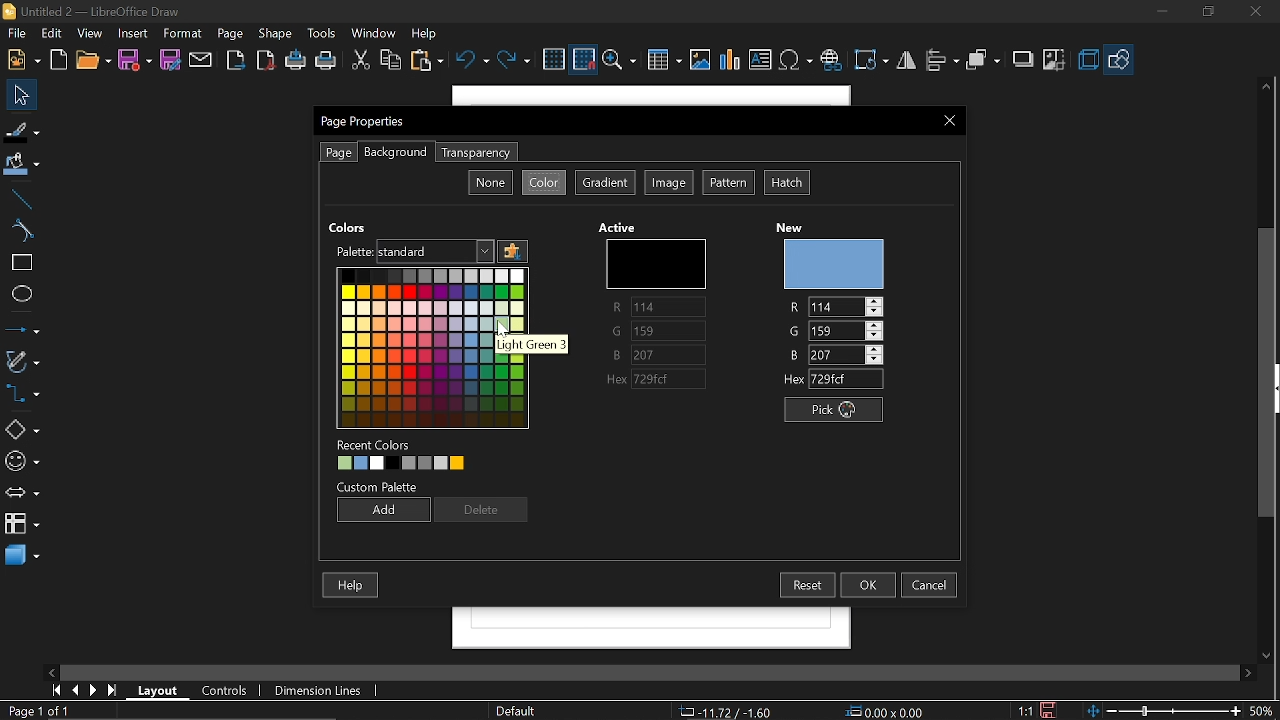 The image size is (1280, 720). What do you see at coordinates (58, 691) in the screenshot?
I see `Go to first page` at bounding box center [58, 691].